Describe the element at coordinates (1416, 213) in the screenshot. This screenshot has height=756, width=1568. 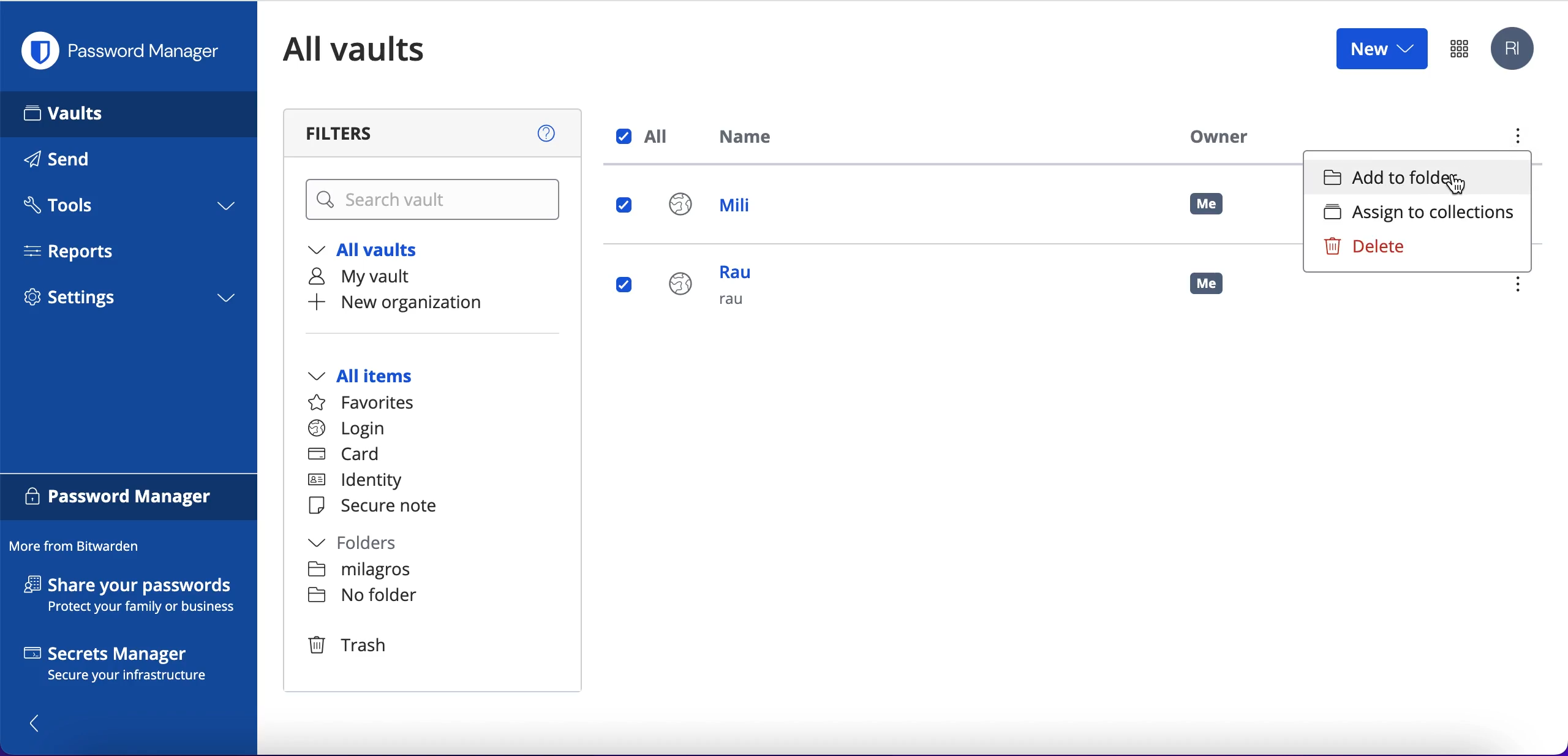
I see `assign to collections` at that location.